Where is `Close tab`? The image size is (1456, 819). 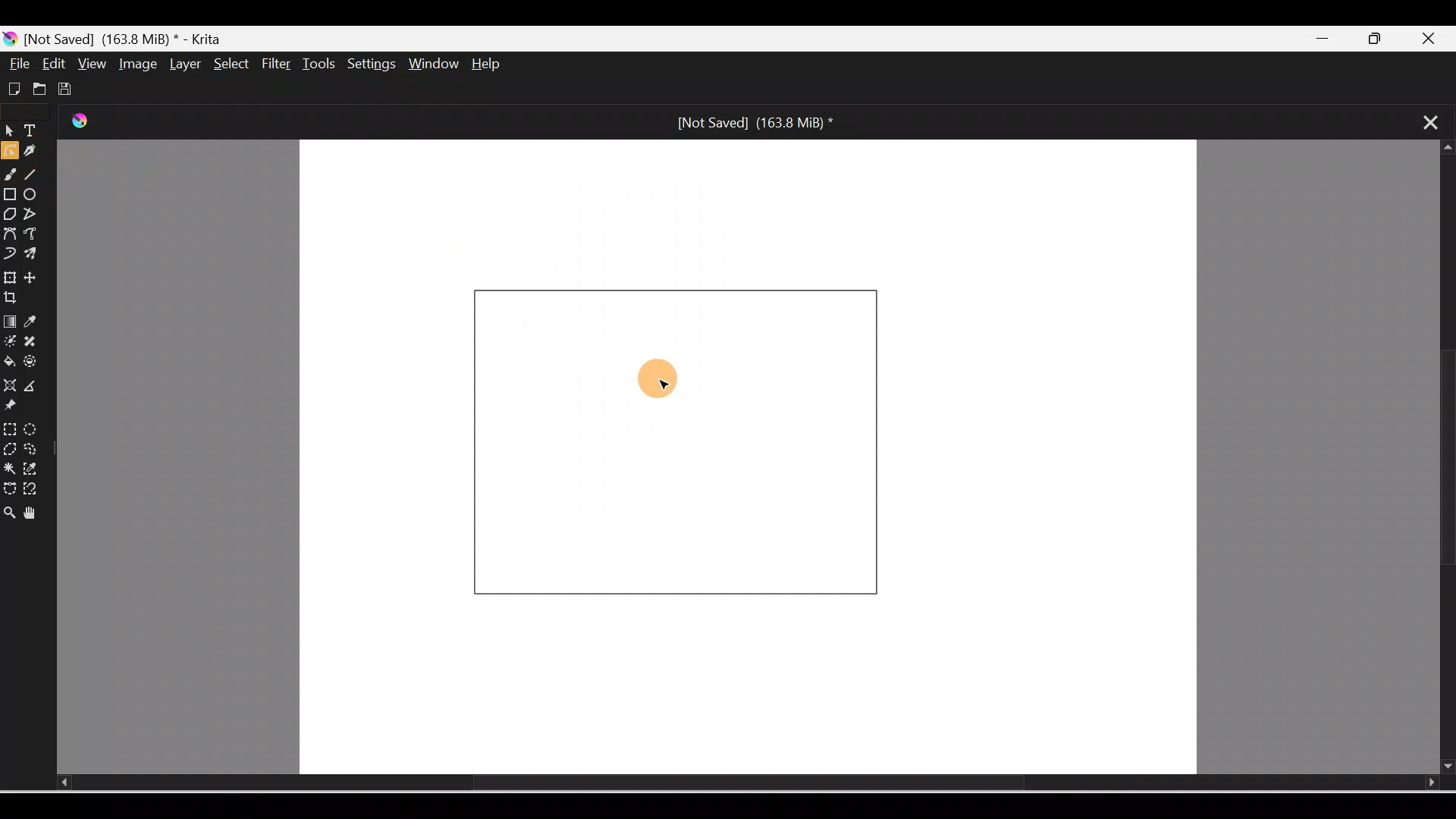 Close tab is located at coordinates (1423, 121).